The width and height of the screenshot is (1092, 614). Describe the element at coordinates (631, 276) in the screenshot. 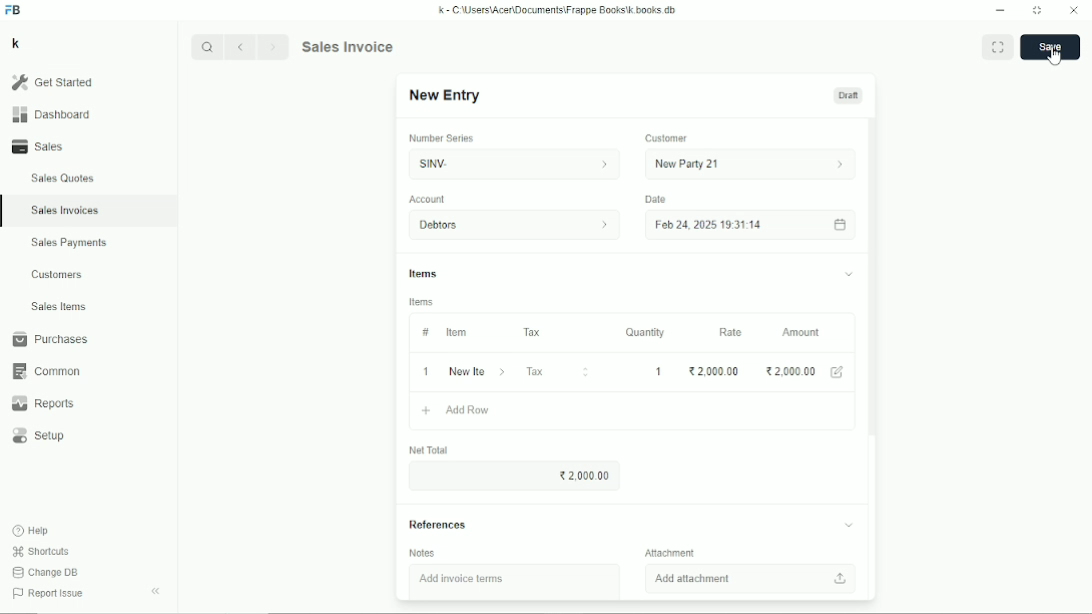

I see `Items` at that location.